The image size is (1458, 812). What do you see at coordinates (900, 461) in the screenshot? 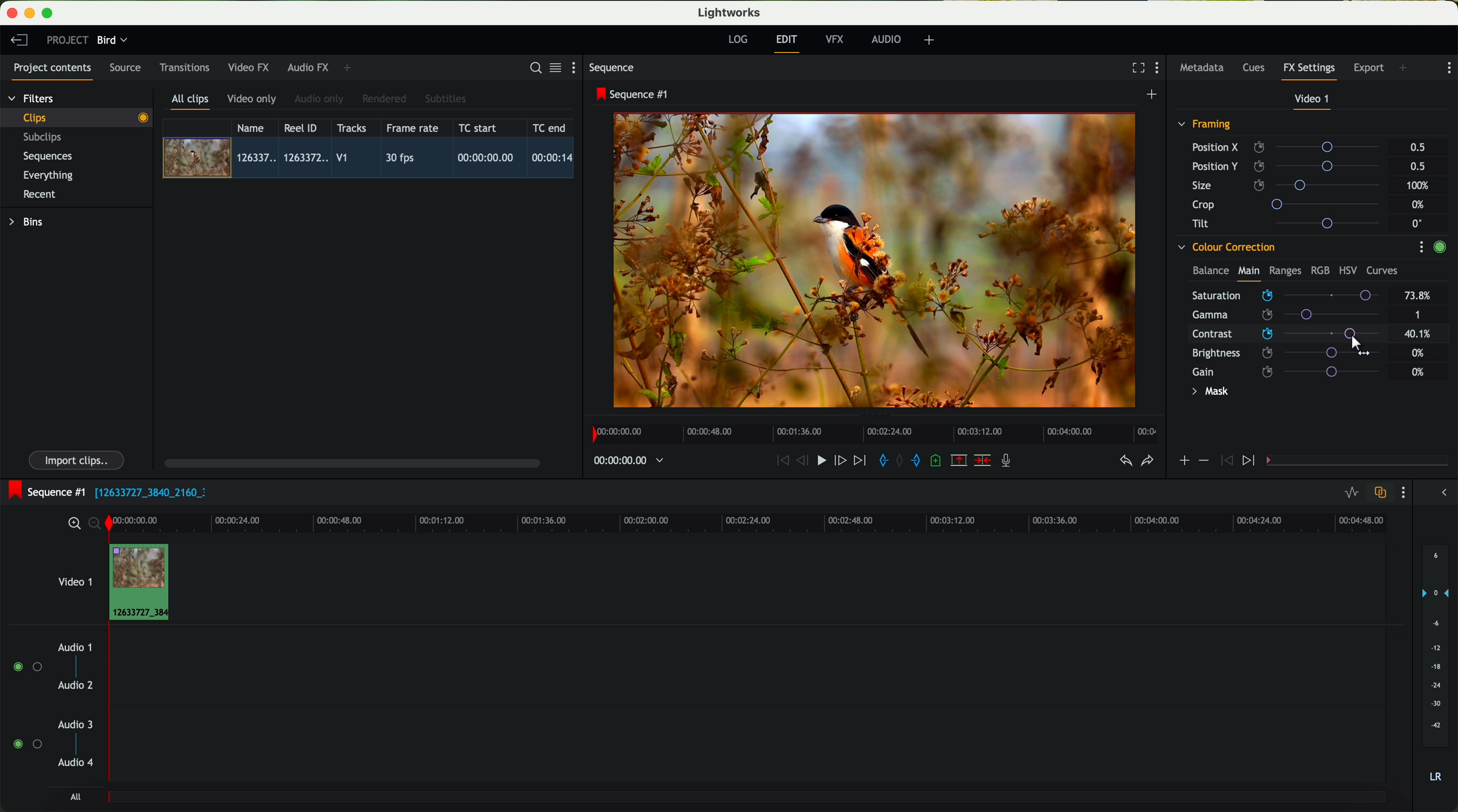
I see `clear marks` at bounding box center [900, 461].